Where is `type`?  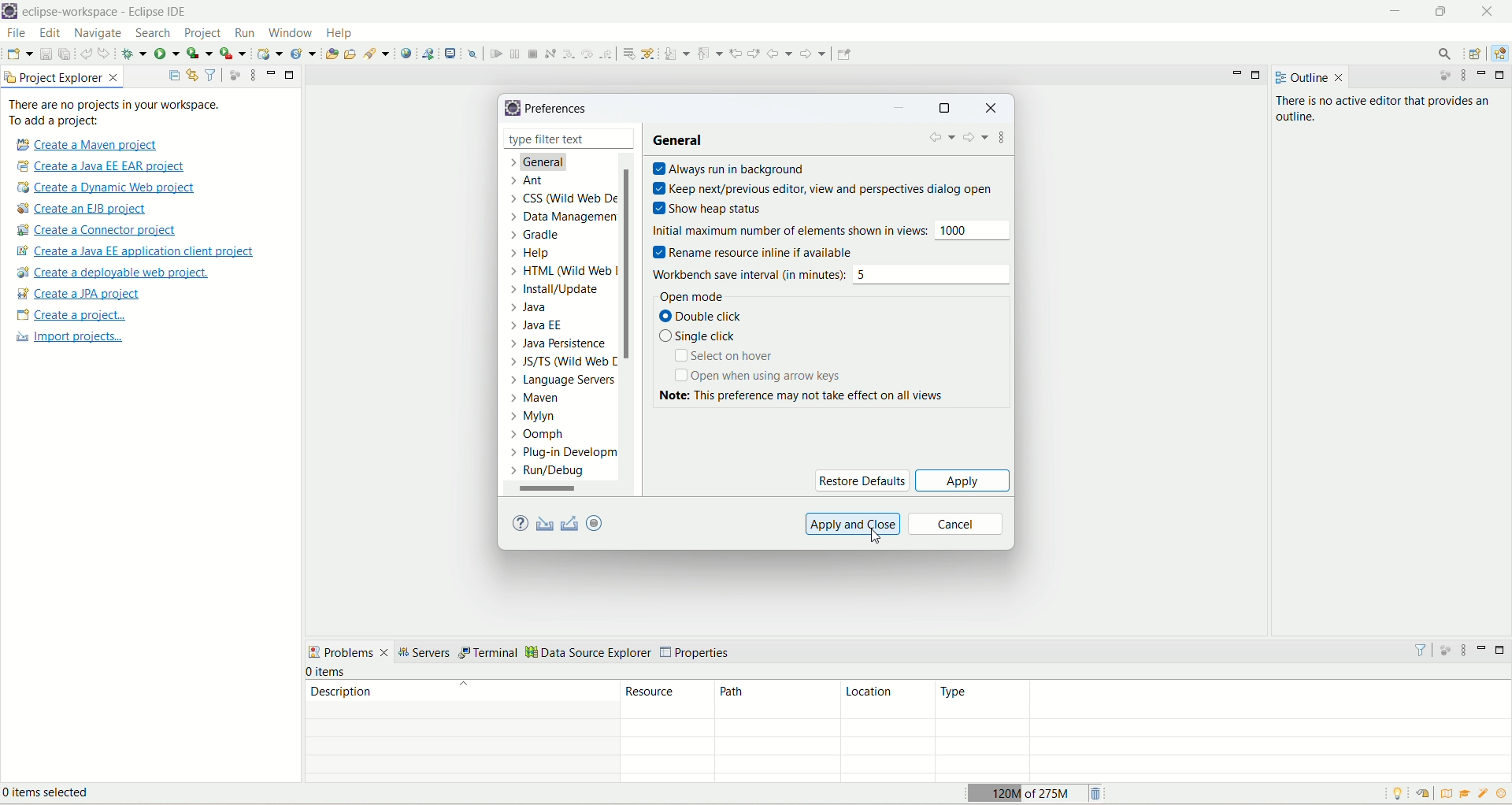
type is located at coordinates (1222, 699).